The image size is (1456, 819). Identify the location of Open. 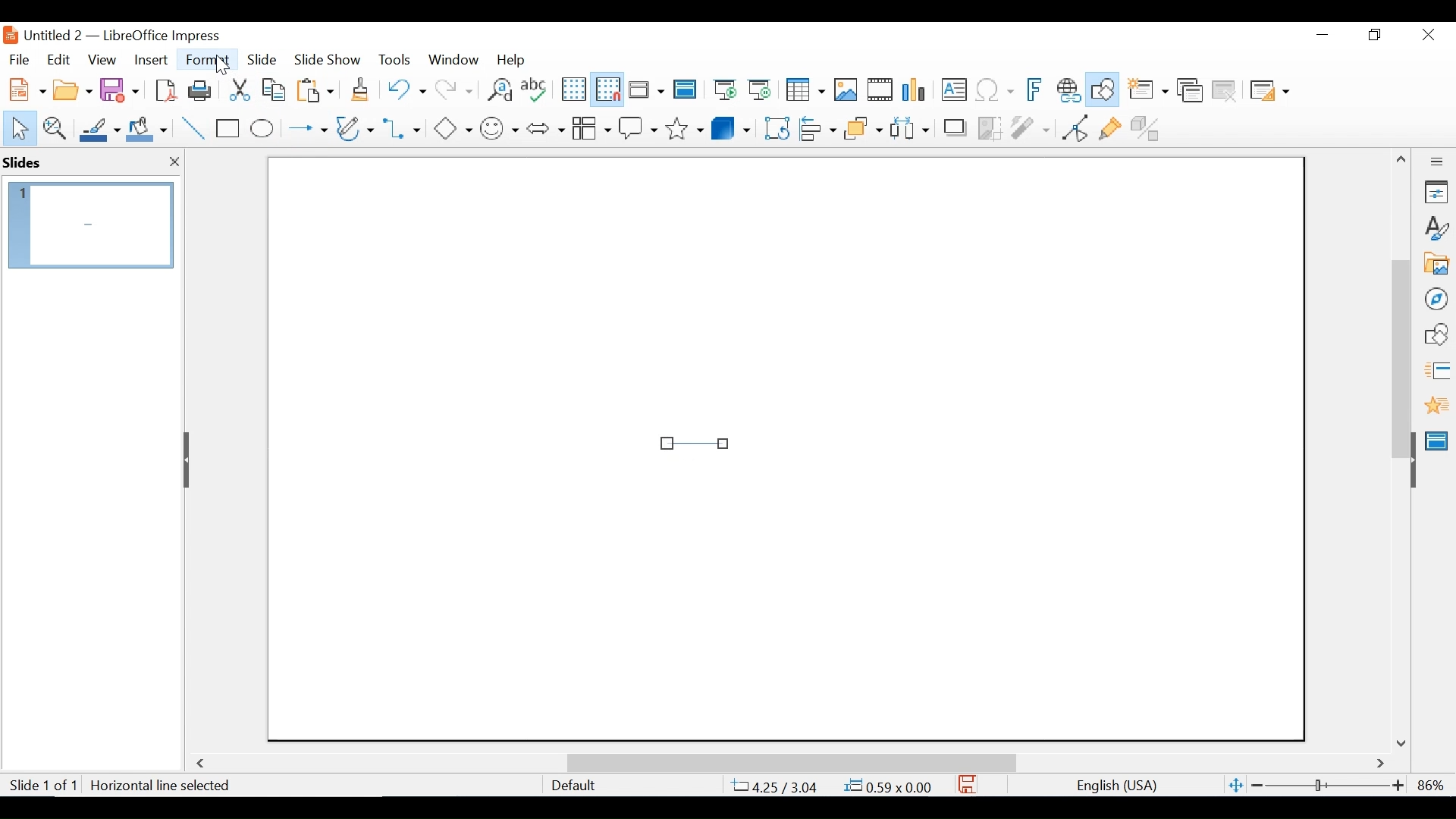
(72, 88).